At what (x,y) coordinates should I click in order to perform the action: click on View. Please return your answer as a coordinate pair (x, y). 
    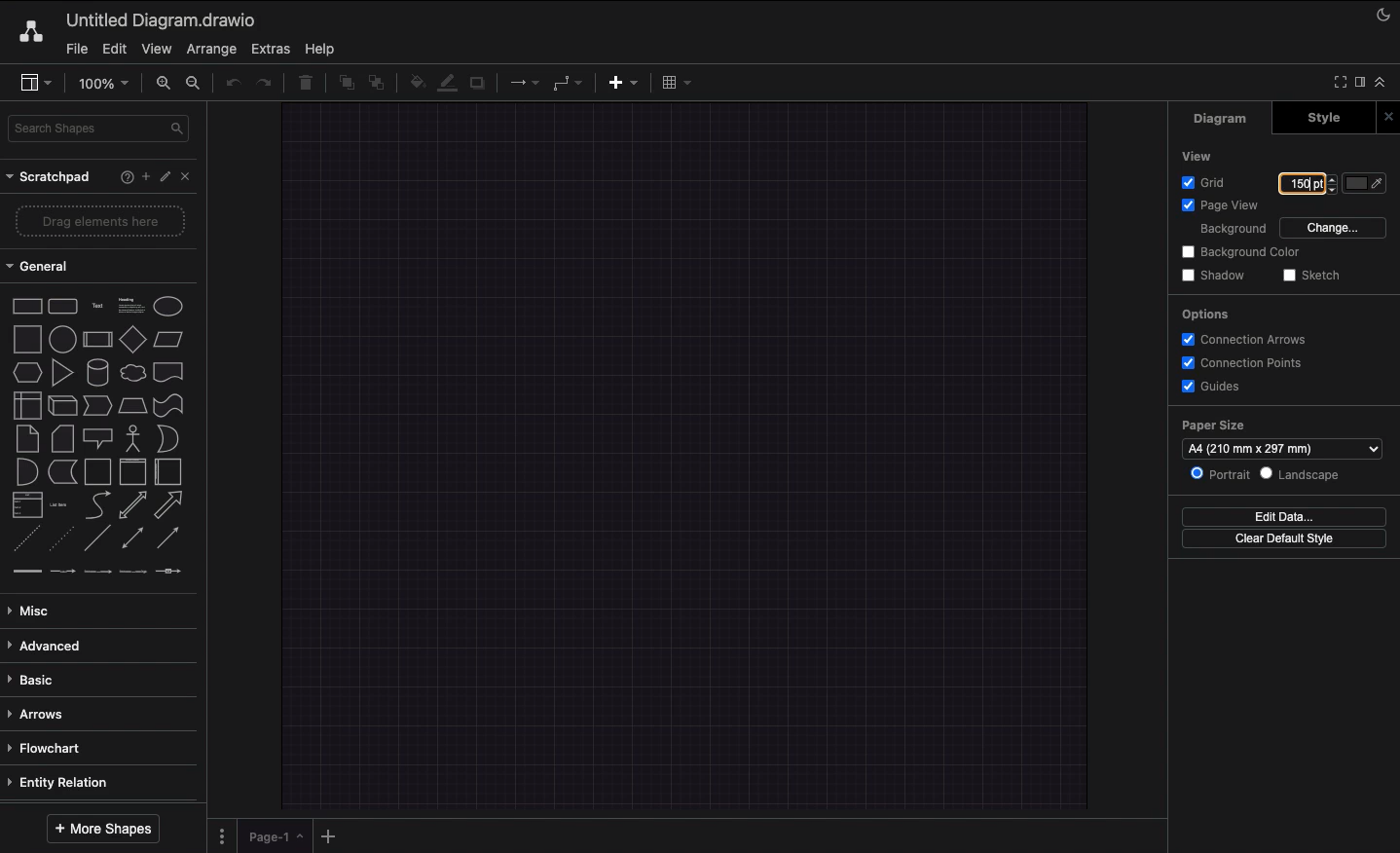
    Looking at the image, I should click on (1195, 156).